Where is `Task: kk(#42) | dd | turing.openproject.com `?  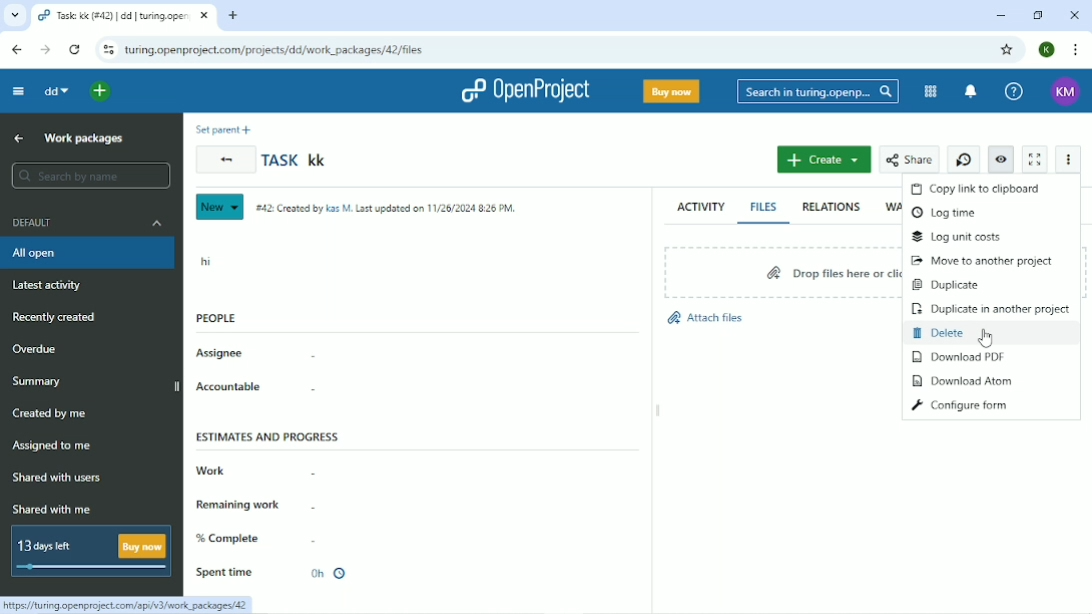
Task: kk(#42) | dd | turing.openproject.com  is located at coordinates (124, 15).